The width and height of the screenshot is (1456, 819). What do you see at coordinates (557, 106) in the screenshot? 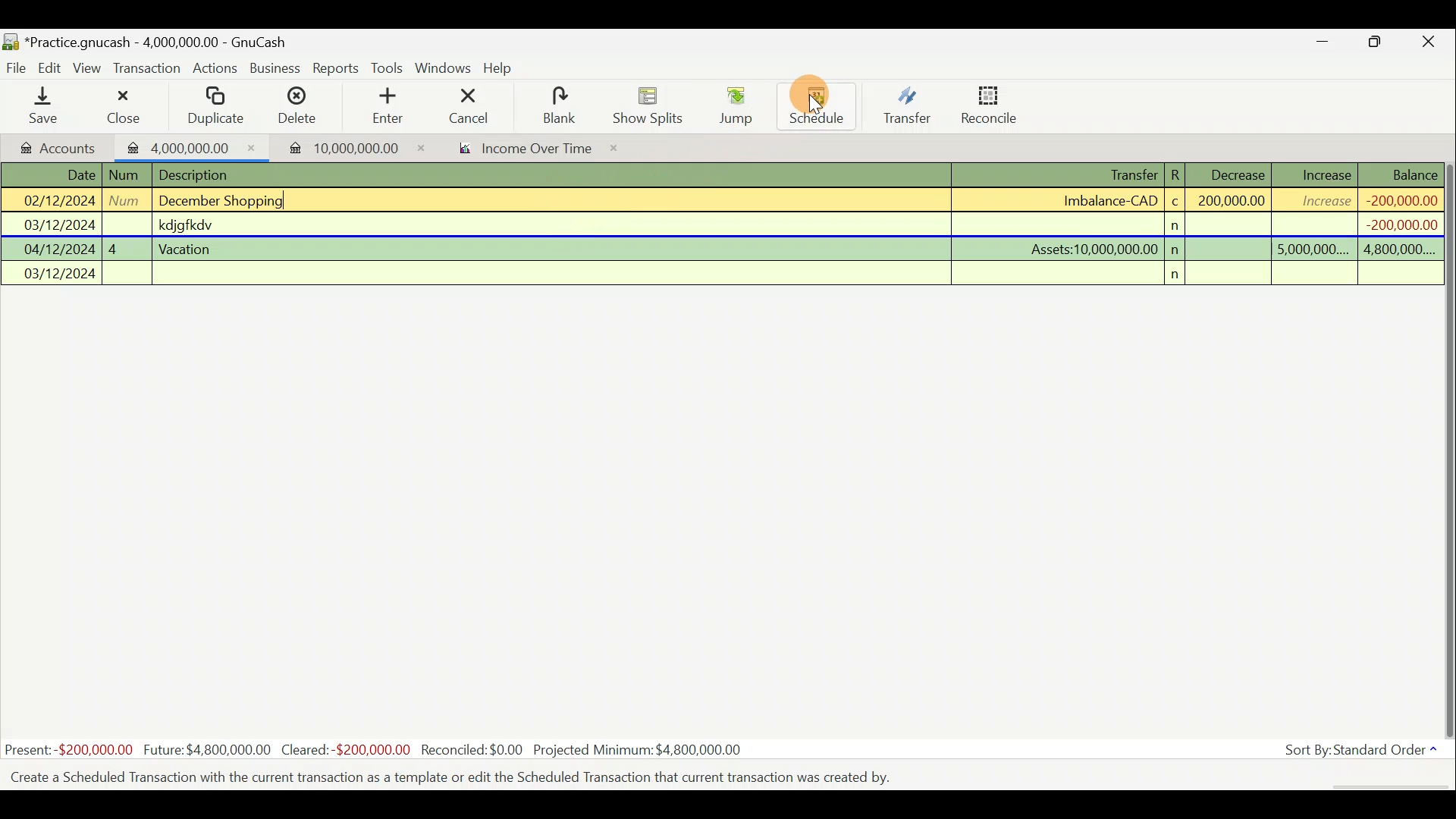
I see `Blank` at bounding box center [557, 106].